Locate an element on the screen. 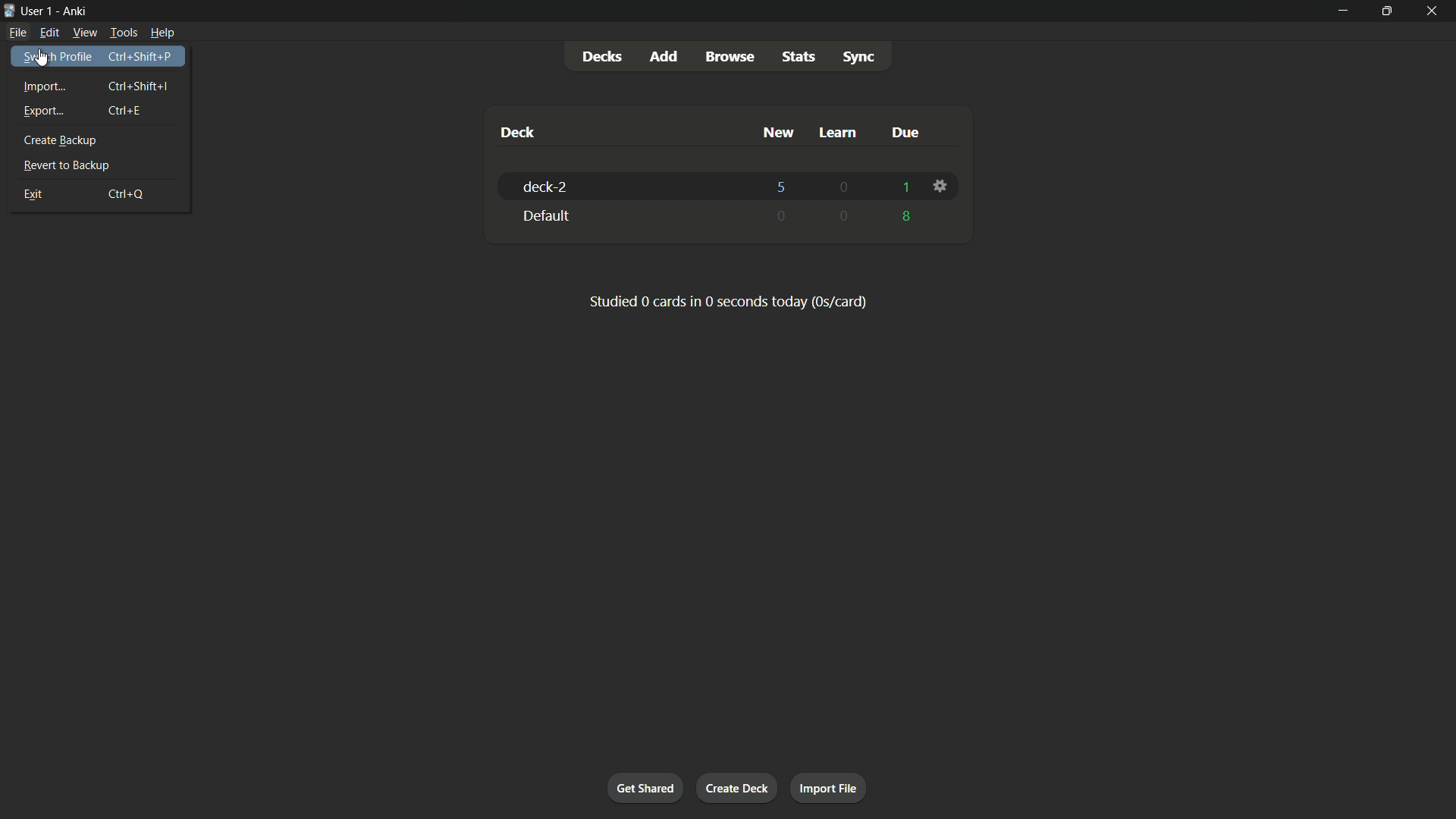 This screenshot has height=819, width=1456. help is located at coordinates (163, 33).